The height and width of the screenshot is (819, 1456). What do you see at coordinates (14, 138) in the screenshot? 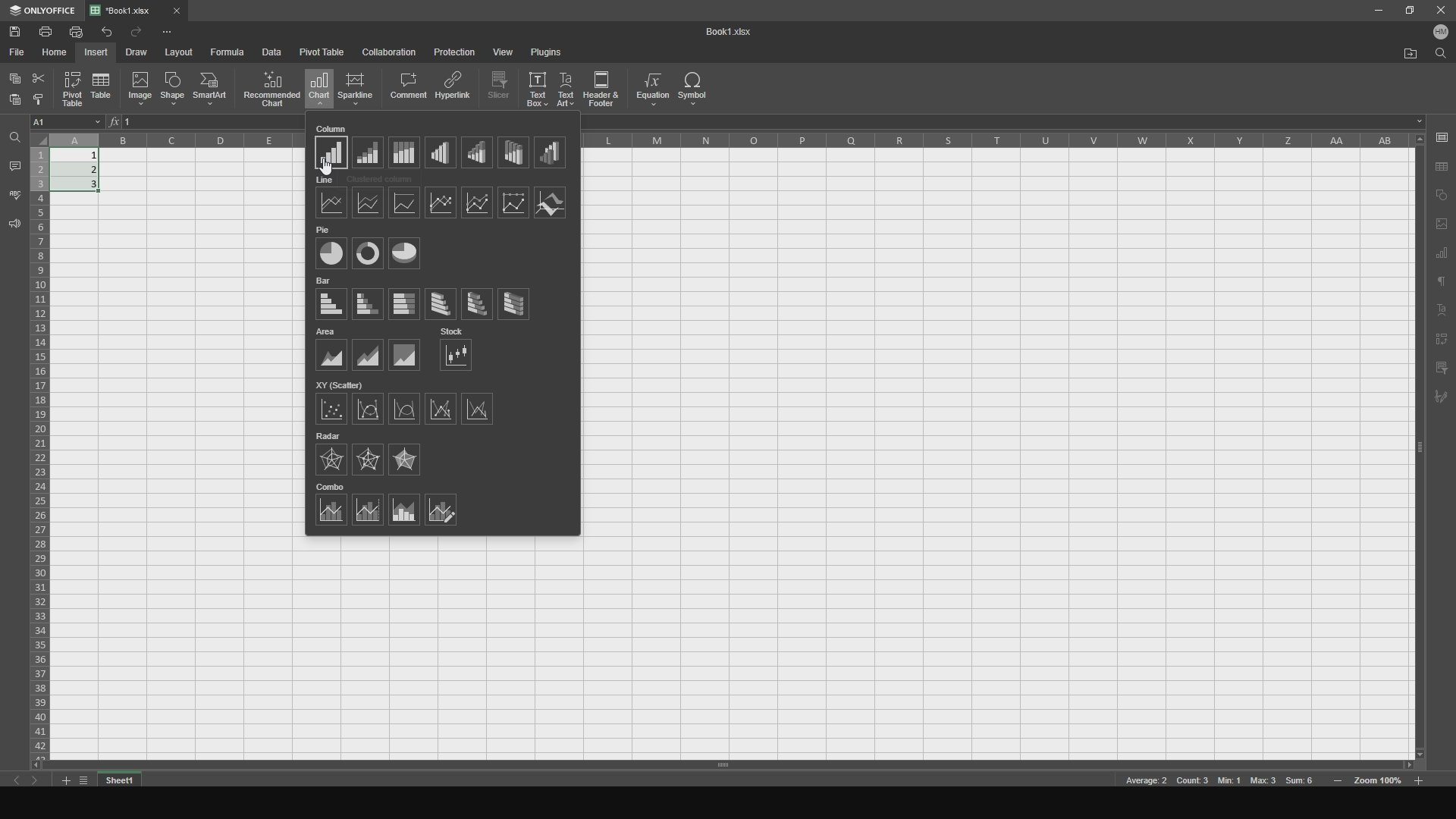
I see `find` at bounding box center [14, 138].